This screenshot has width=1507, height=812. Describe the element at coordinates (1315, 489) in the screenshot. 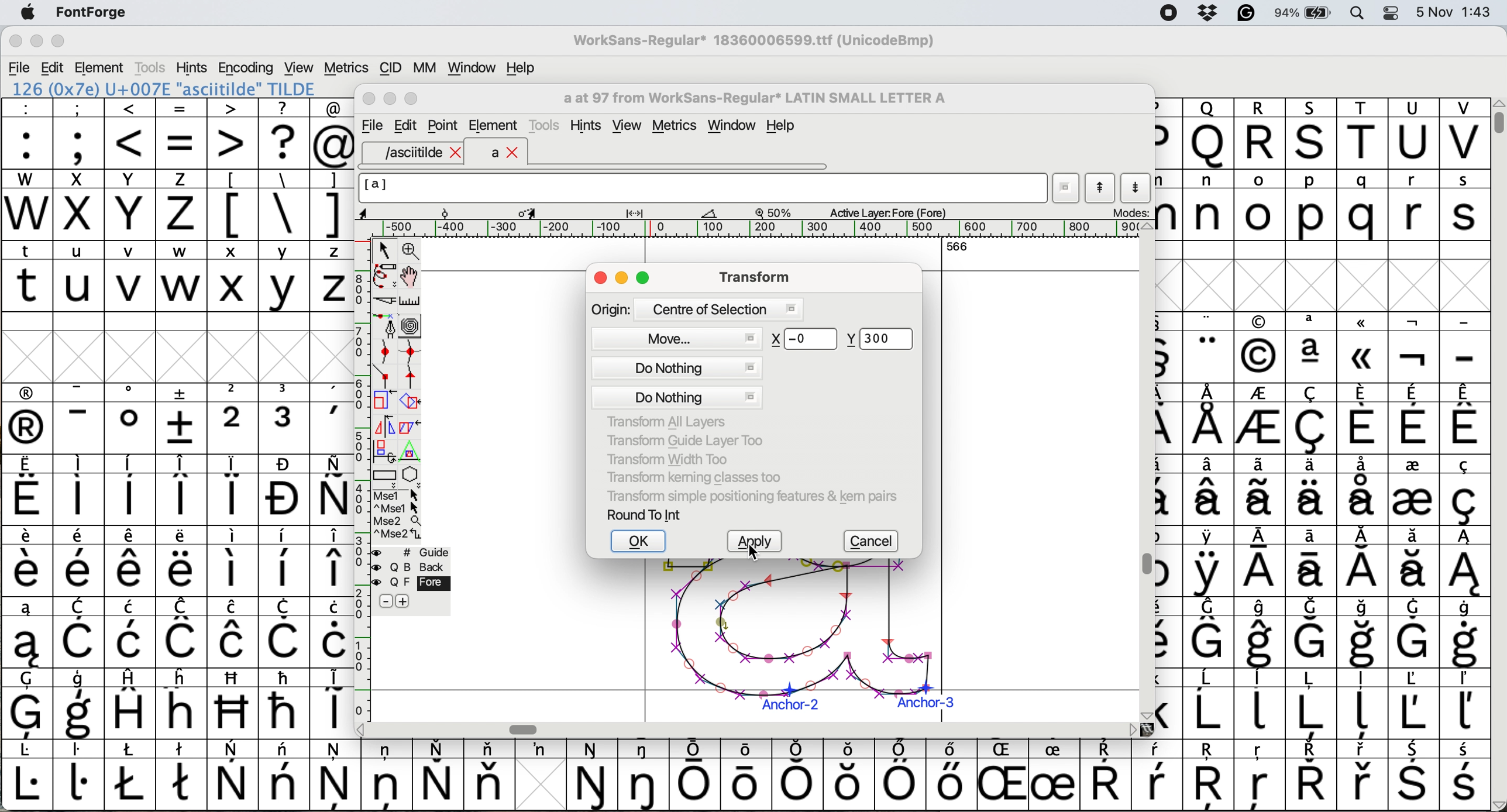

I see `symbol` at that location.